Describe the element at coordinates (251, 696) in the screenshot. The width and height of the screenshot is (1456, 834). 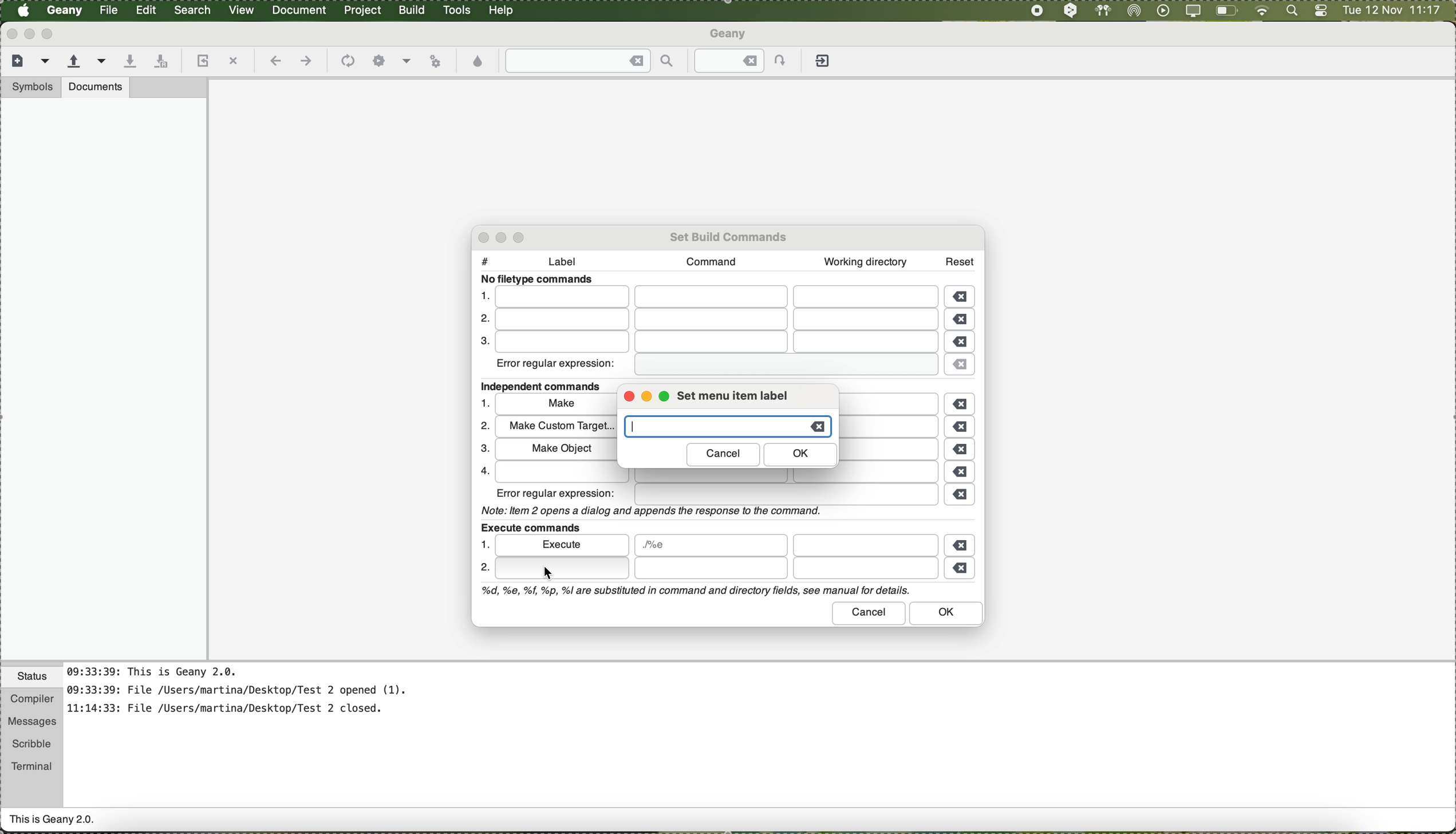
I see `notes` at that location.